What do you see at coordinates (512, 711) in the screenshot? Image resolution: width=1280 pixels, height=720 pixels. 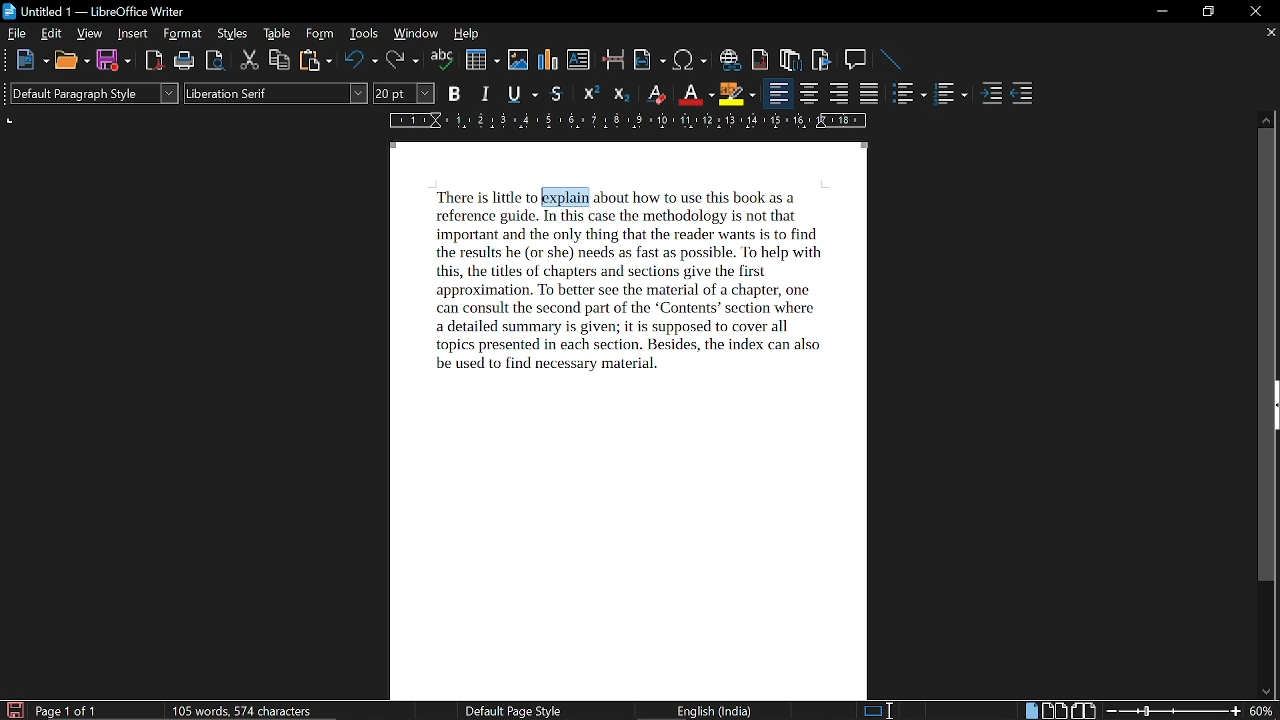 I see `Default page style` at bounding box center [512, 711].